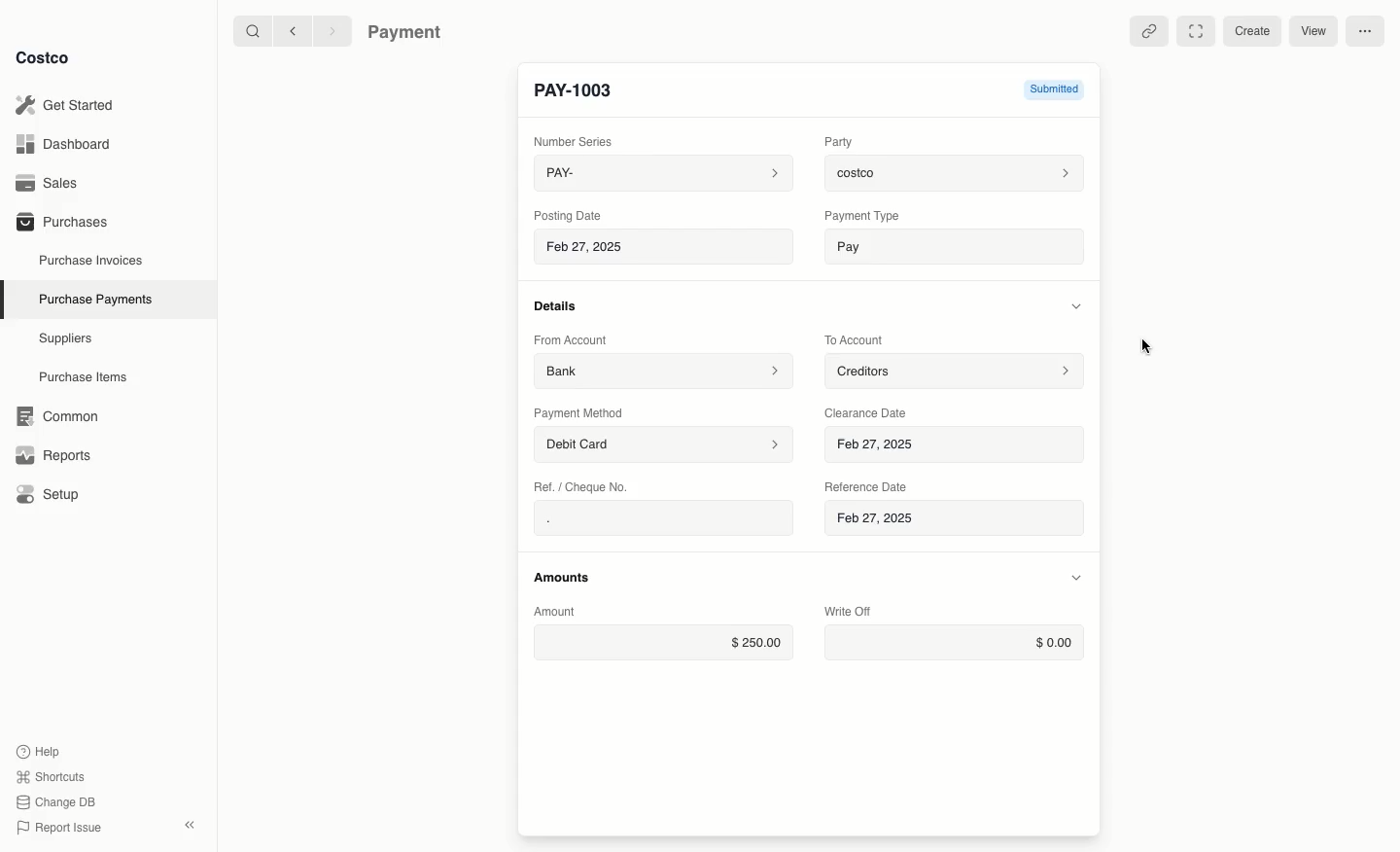  Describe the element at coordinates (951, 445) in the screenshot. I see `Feb 27, 2025` at that location.